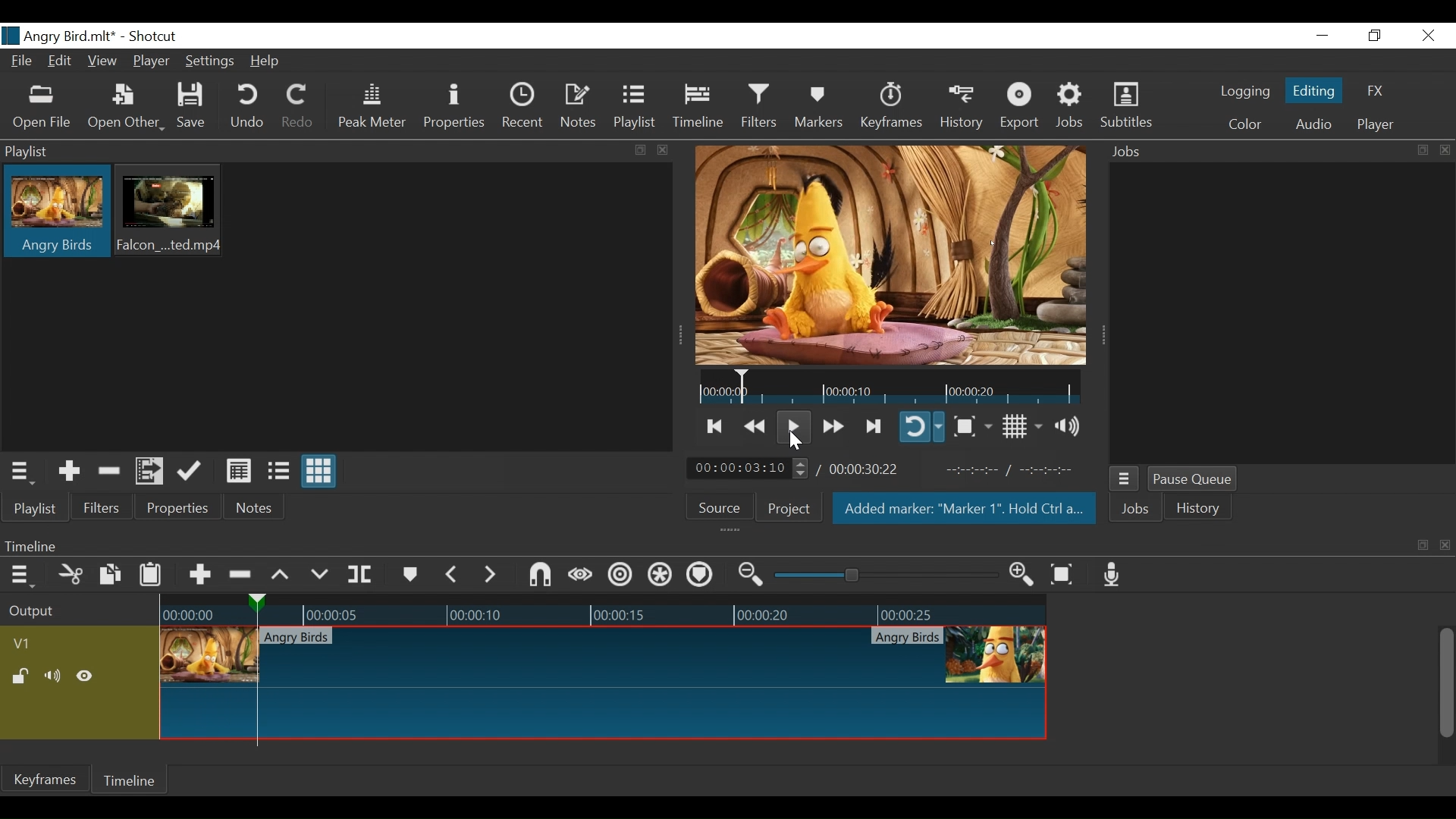 The image size is (1456, 819). Describe the element at coordinates (792, 425) in the screenshot. I see `Toggle play or pause (space)` at that location.